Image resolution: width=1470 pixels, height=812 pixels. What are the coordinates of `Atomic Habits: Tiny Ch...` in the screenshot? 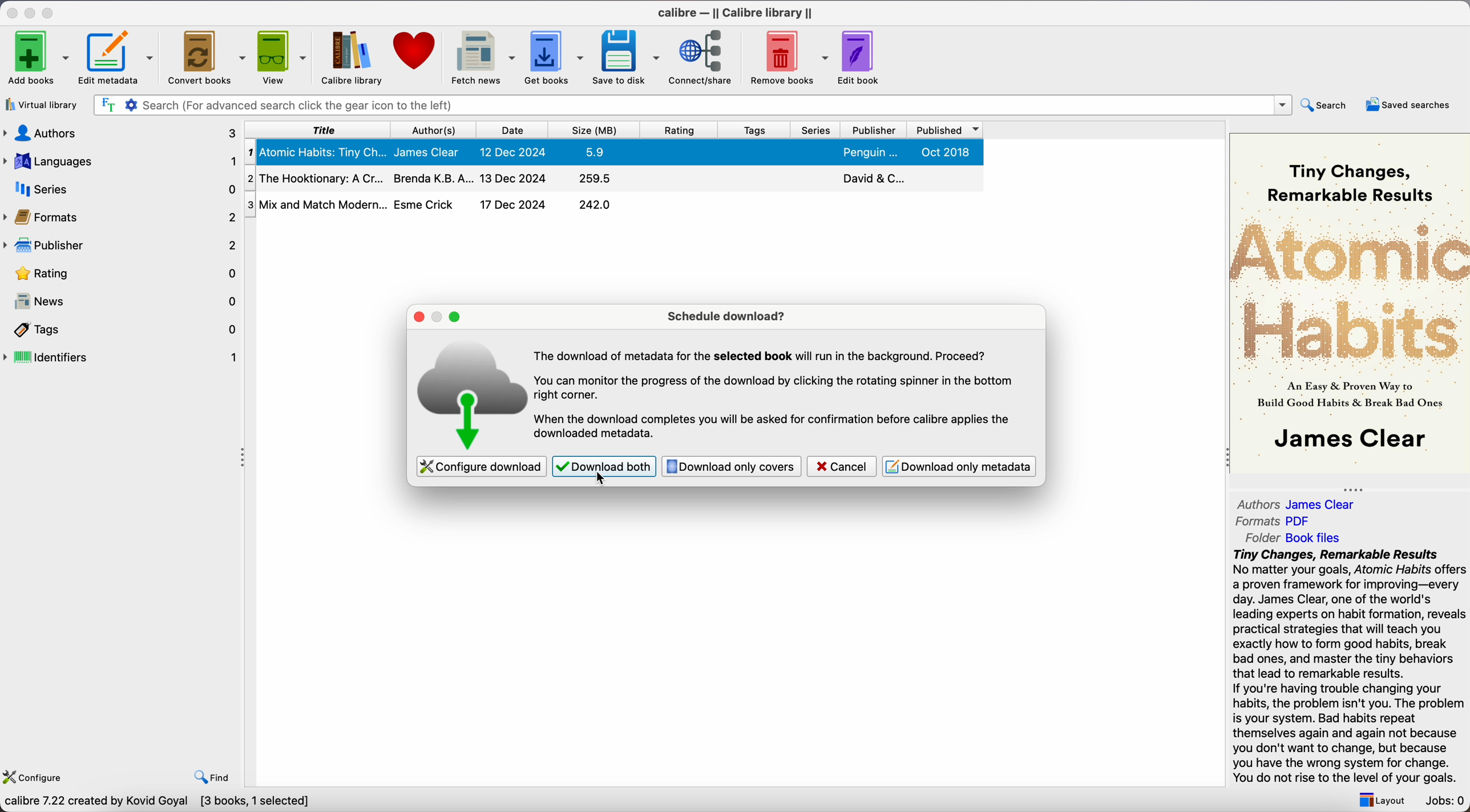 It's located at (318, 152).